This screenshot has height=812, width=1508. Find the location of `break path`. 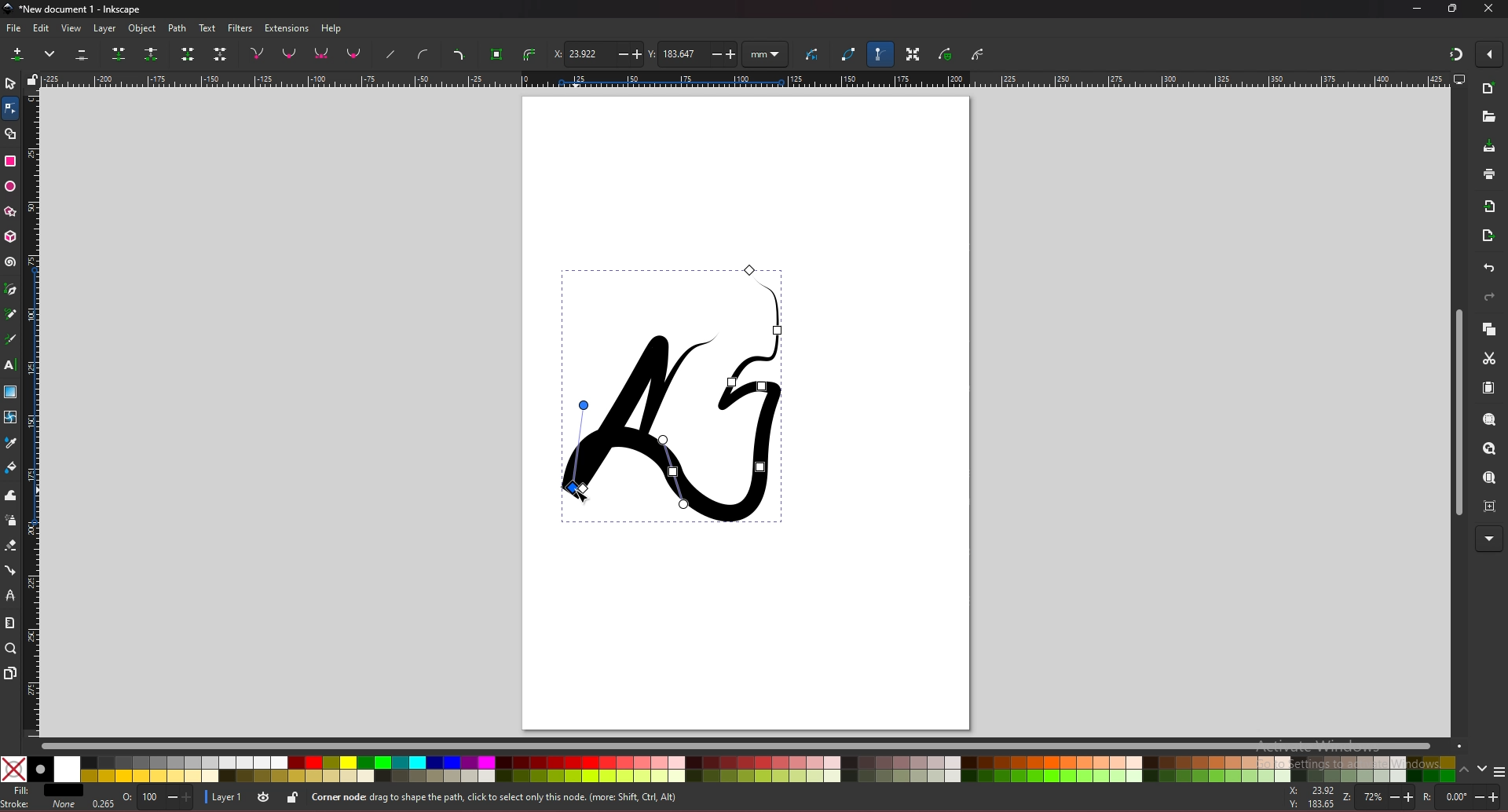

break path is located at coordinates (151, 53).